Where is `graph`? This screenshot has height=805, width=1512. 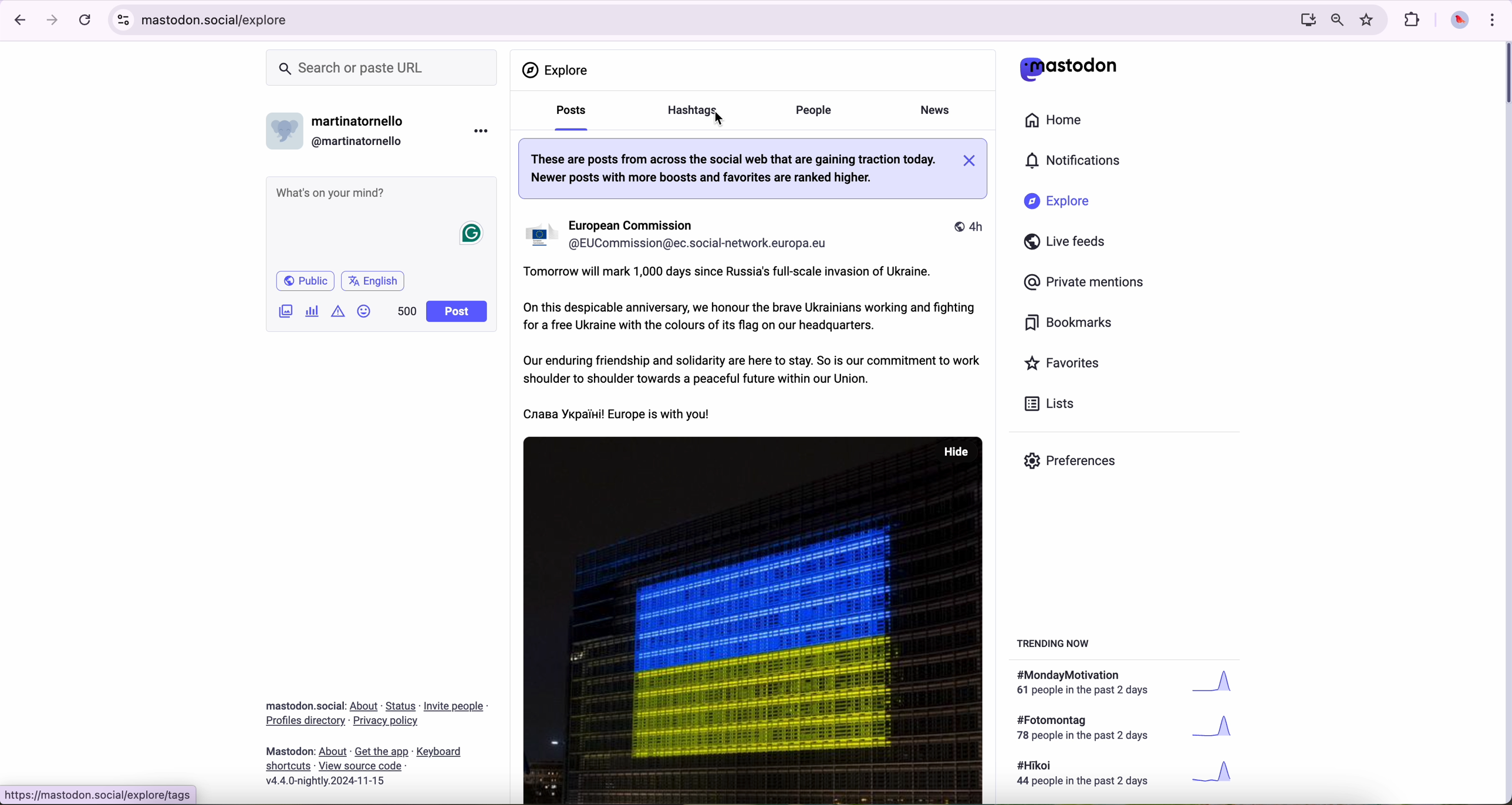
graph is located at coordinates (1219, 730).